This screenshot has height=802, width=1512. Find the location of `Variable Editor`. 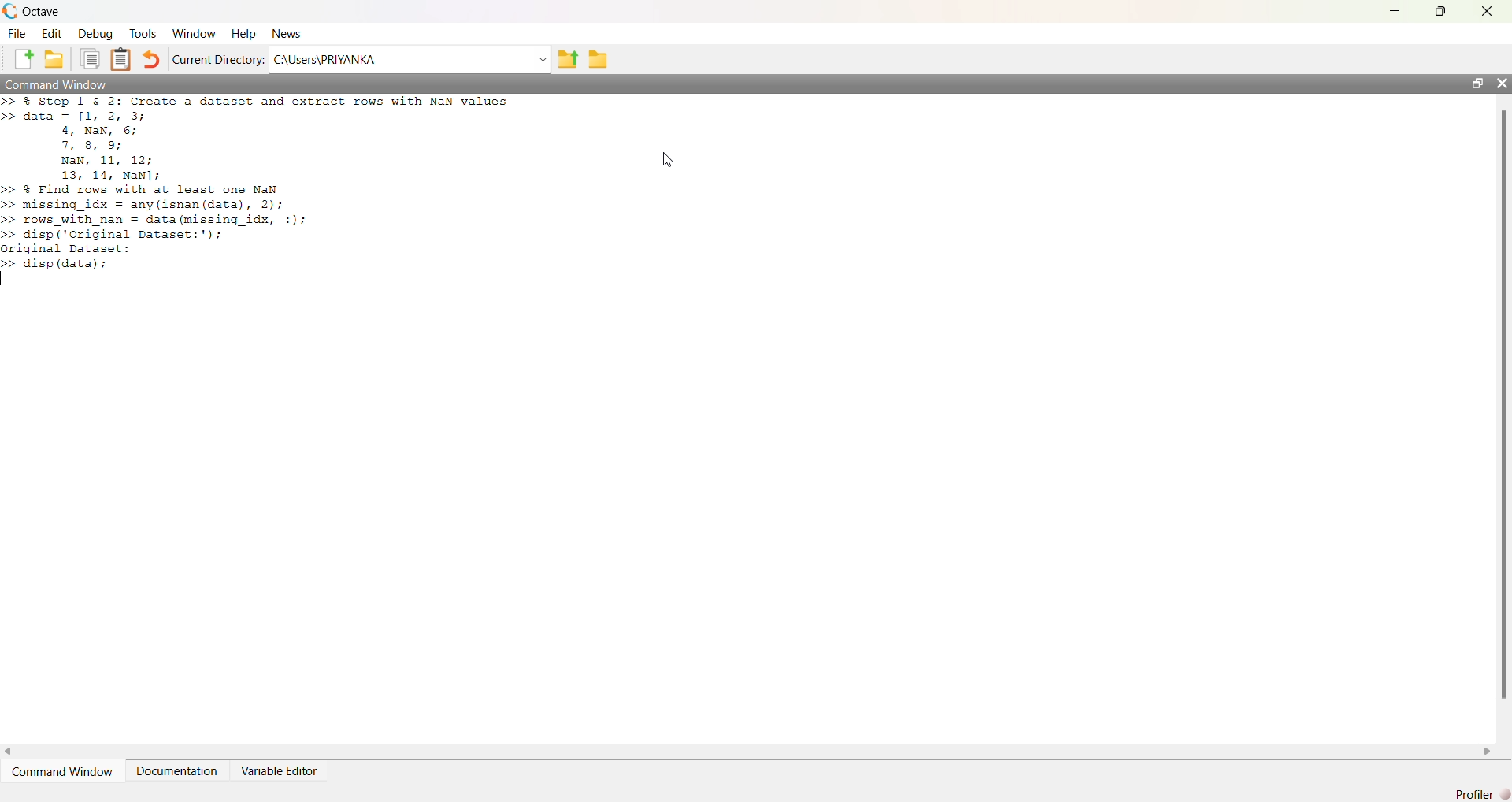

Variable Editor is located at coordinates (278, 771).